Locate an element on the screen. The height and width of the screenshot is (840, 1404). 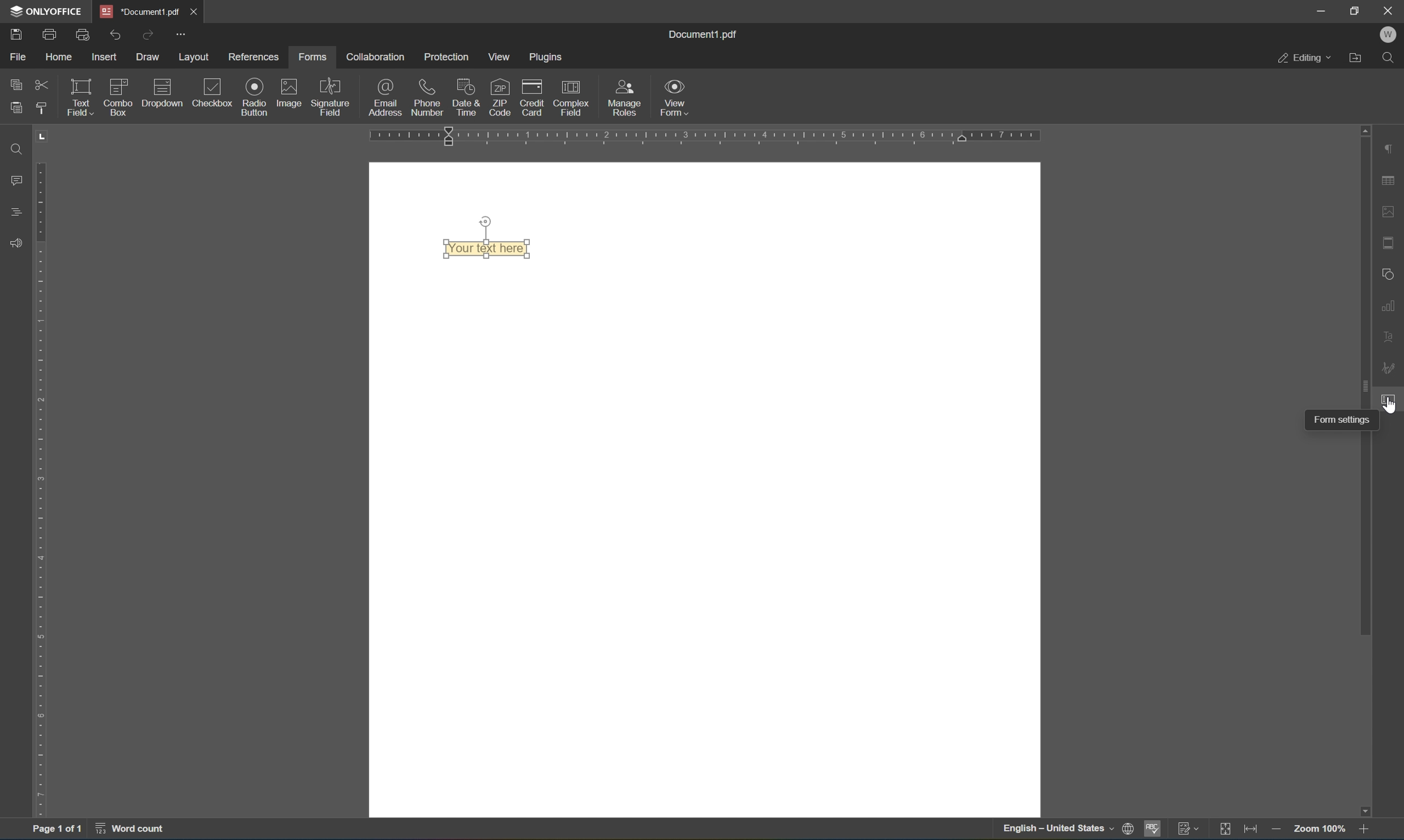
complex field is located at coordinates (577, 98).